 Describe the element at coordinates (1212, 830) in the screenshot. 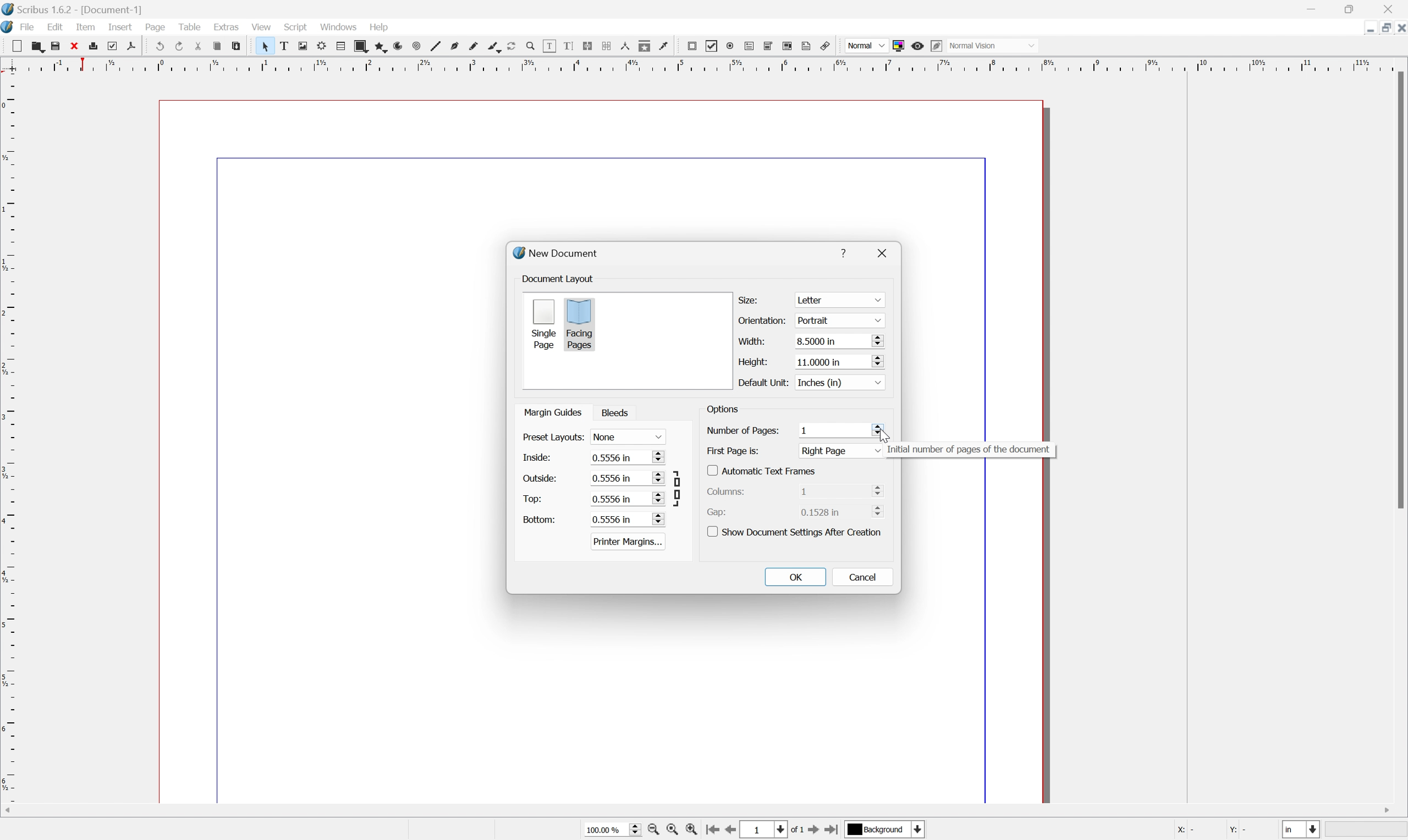

I see `X: -  Y: -` at that location.